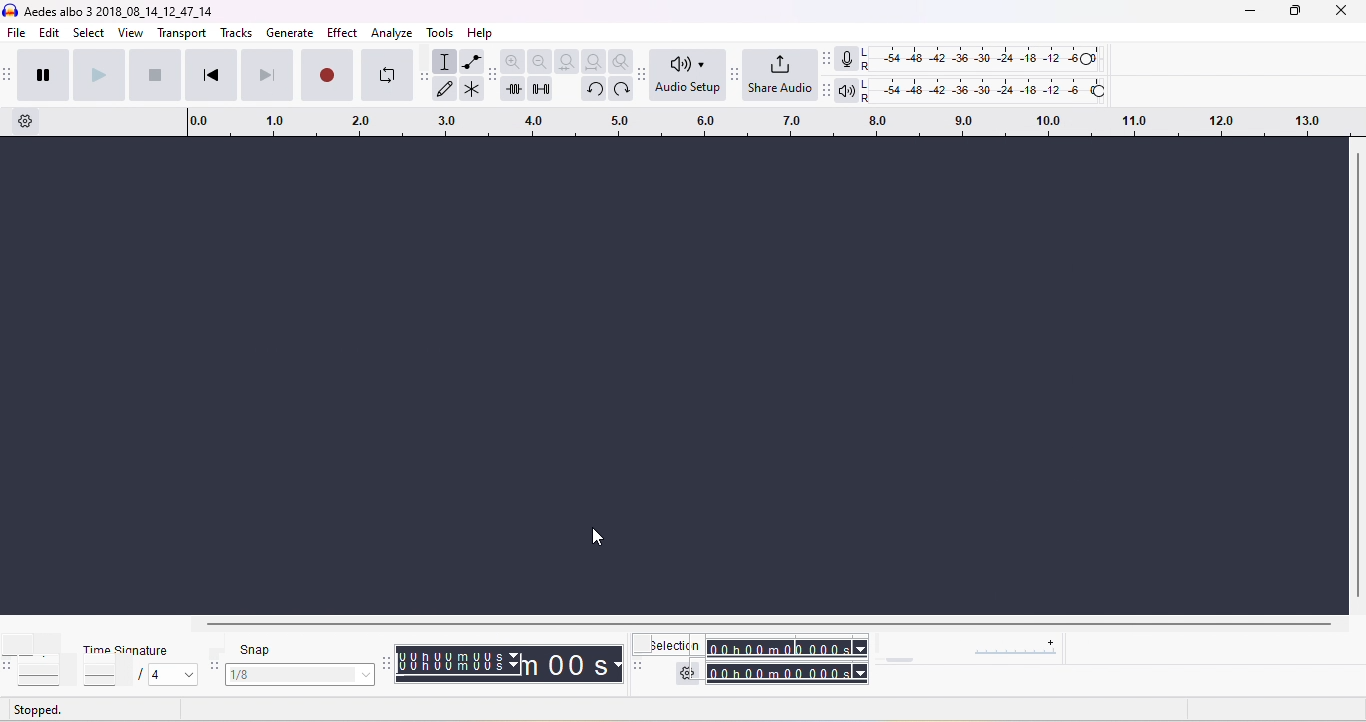 The height and width of the screenshot is (722, 1366). I want to click on R, so click(867, 68).